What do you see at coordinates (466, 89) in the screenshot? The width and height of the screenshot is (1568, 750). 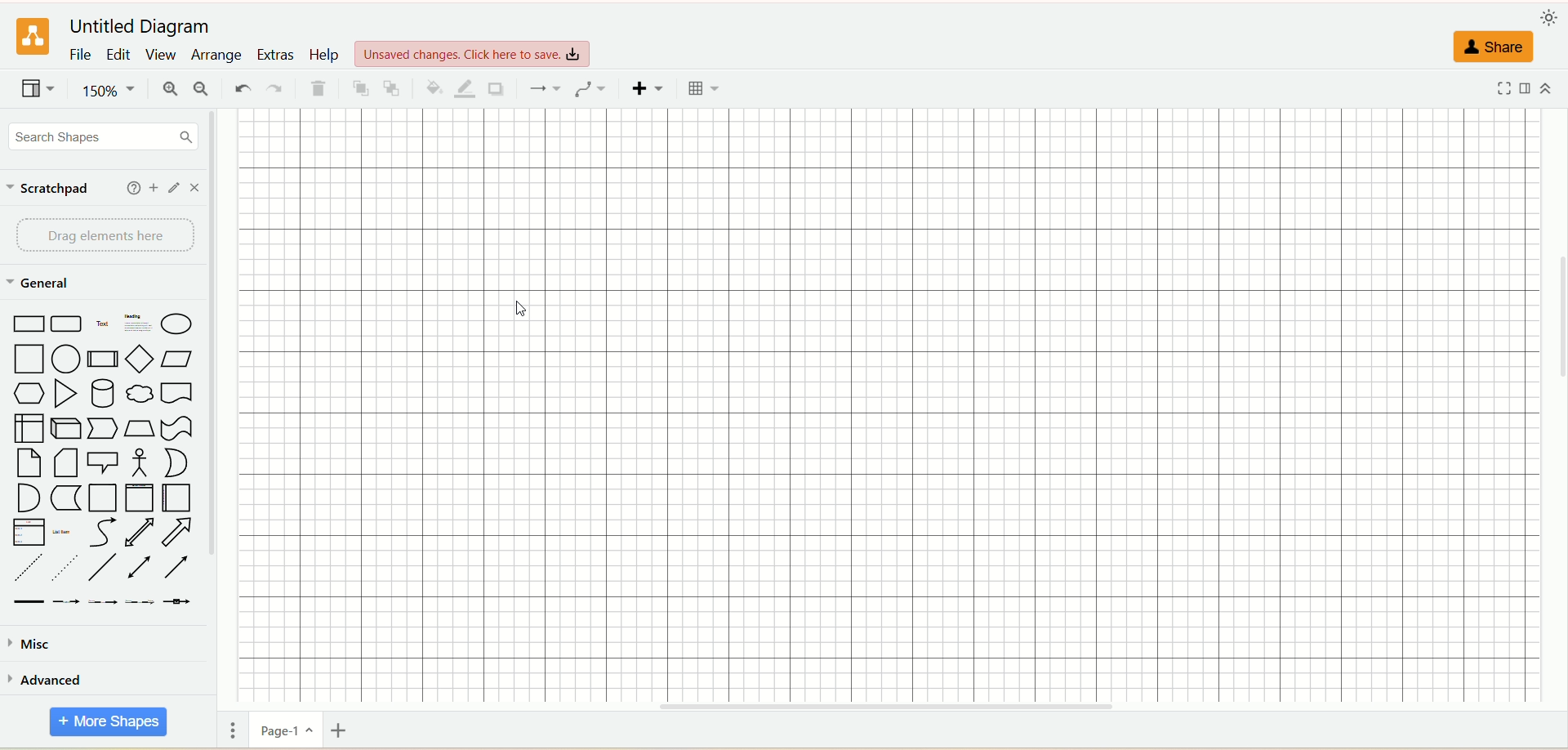 I see `line color` at bounding box center [466, 89].